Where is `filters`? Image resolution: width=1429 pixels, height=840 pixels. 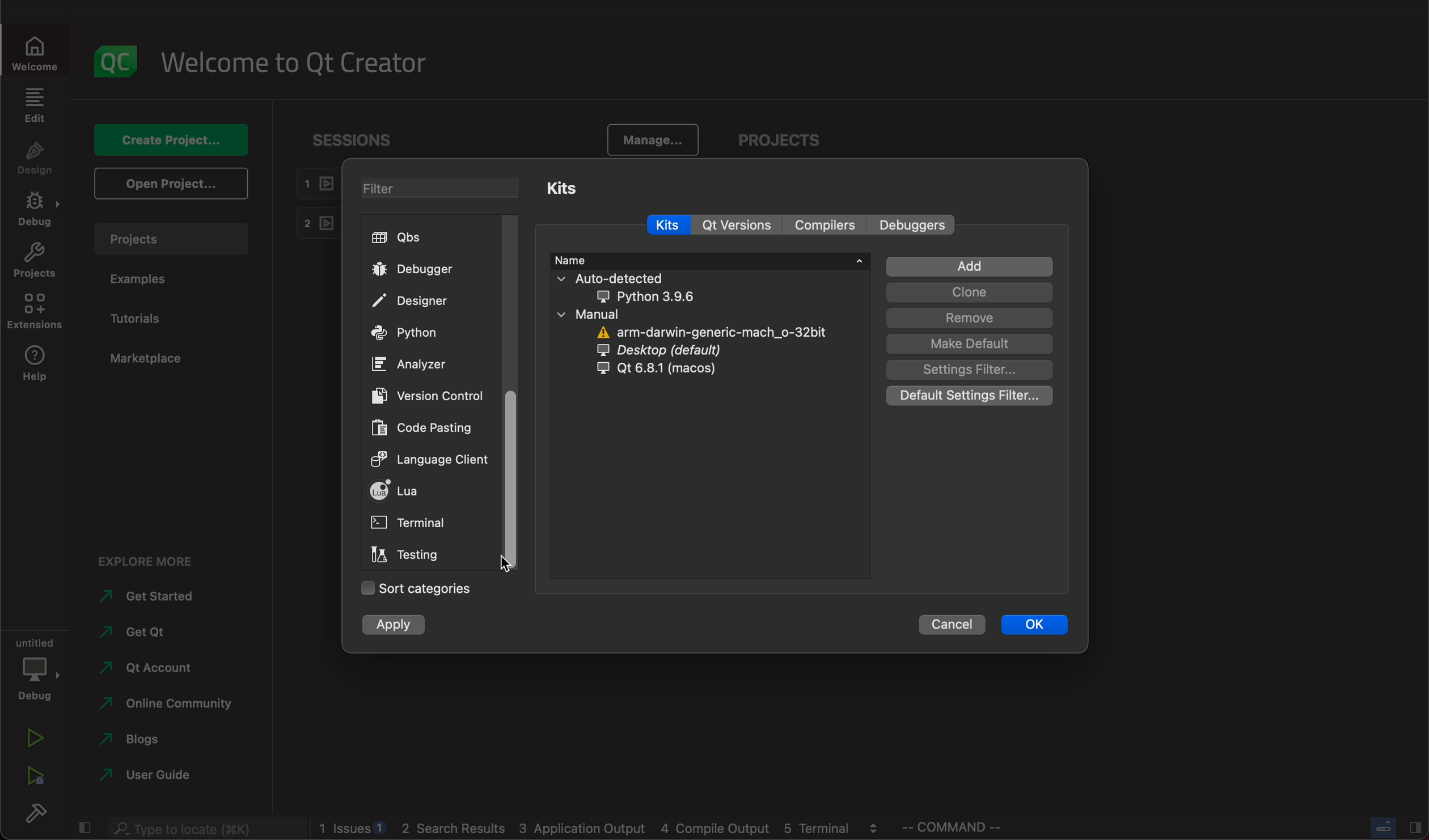 filters is located at coordinates (441, 188).